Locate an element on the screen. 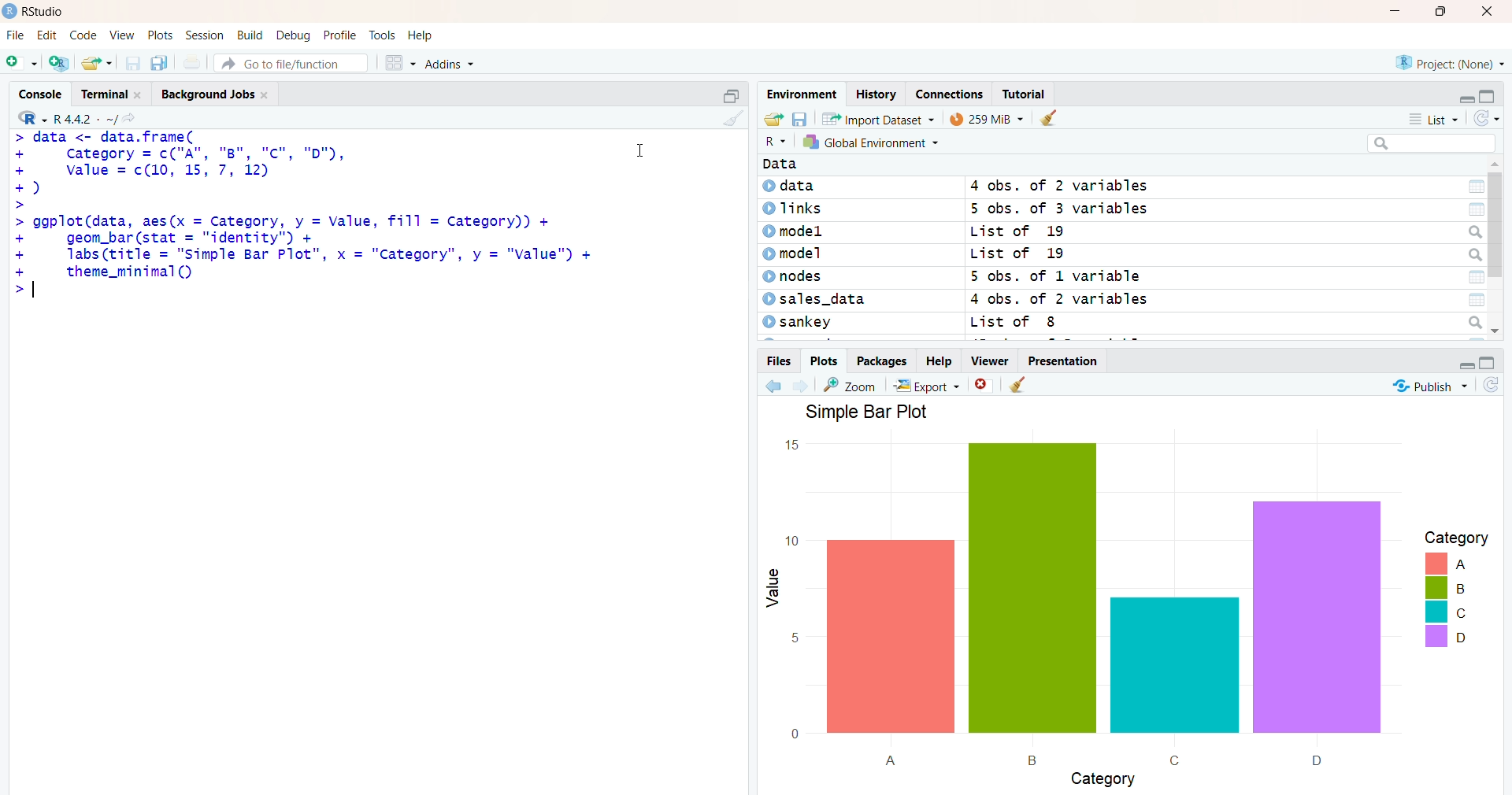 The height and width of the screenshot is (795, 1512). tools is located at coordinates (384, 35).